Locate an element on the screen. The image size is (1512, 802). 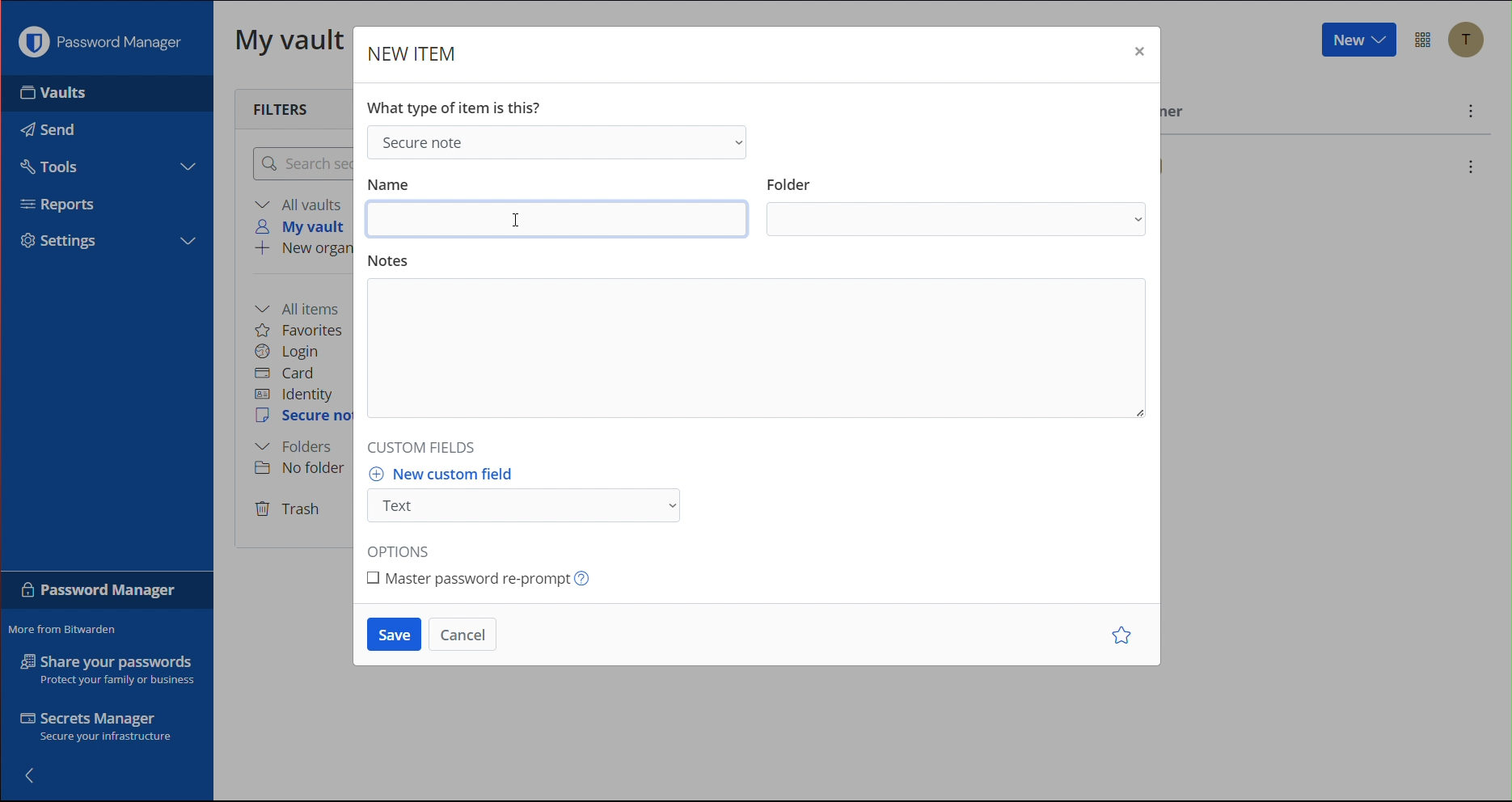
Account is located at coordinates (1472, 42).